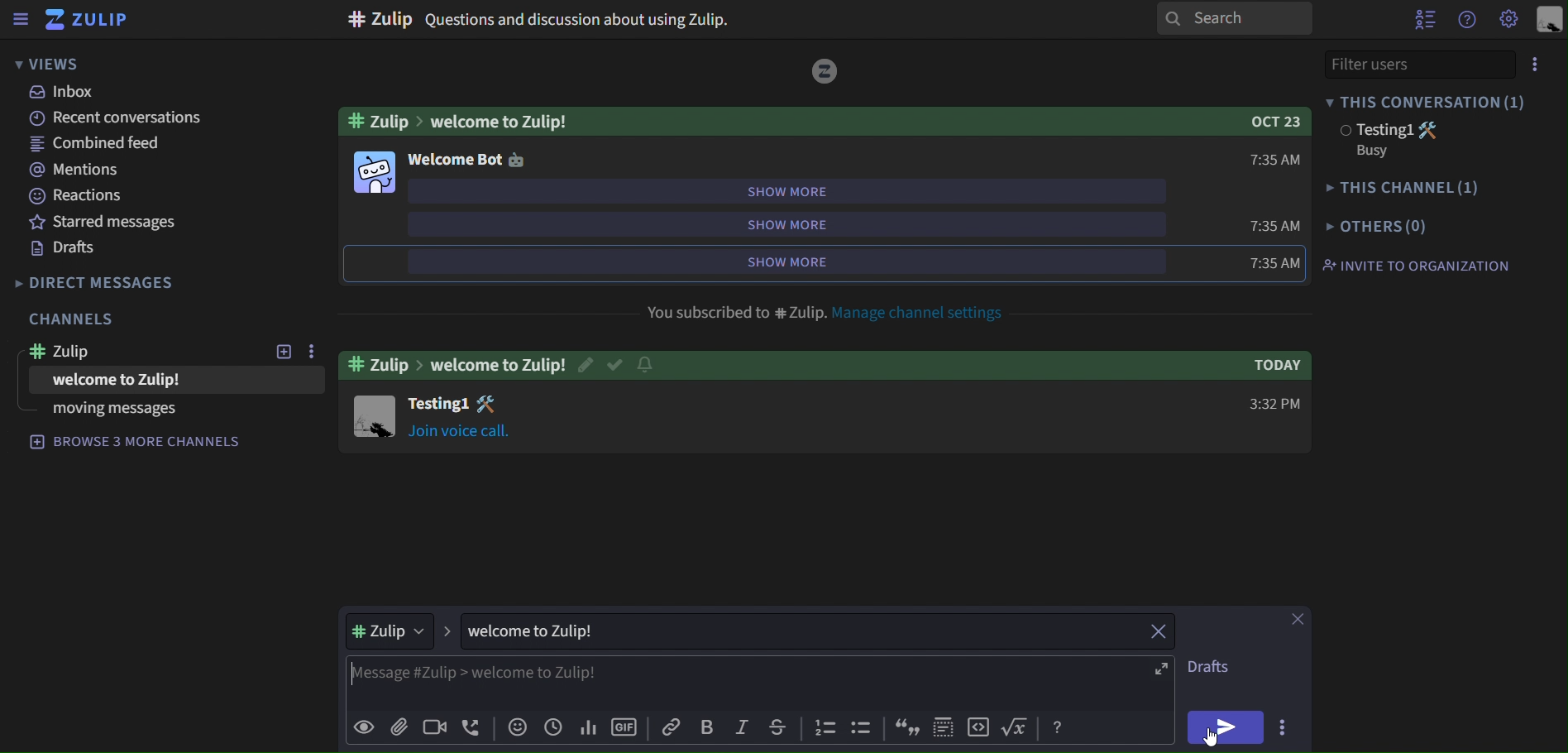 This screenshot has height=753, width=1568. Describe the element at coordinates (311, 351) in the screenshot. I see `more options` at that location.